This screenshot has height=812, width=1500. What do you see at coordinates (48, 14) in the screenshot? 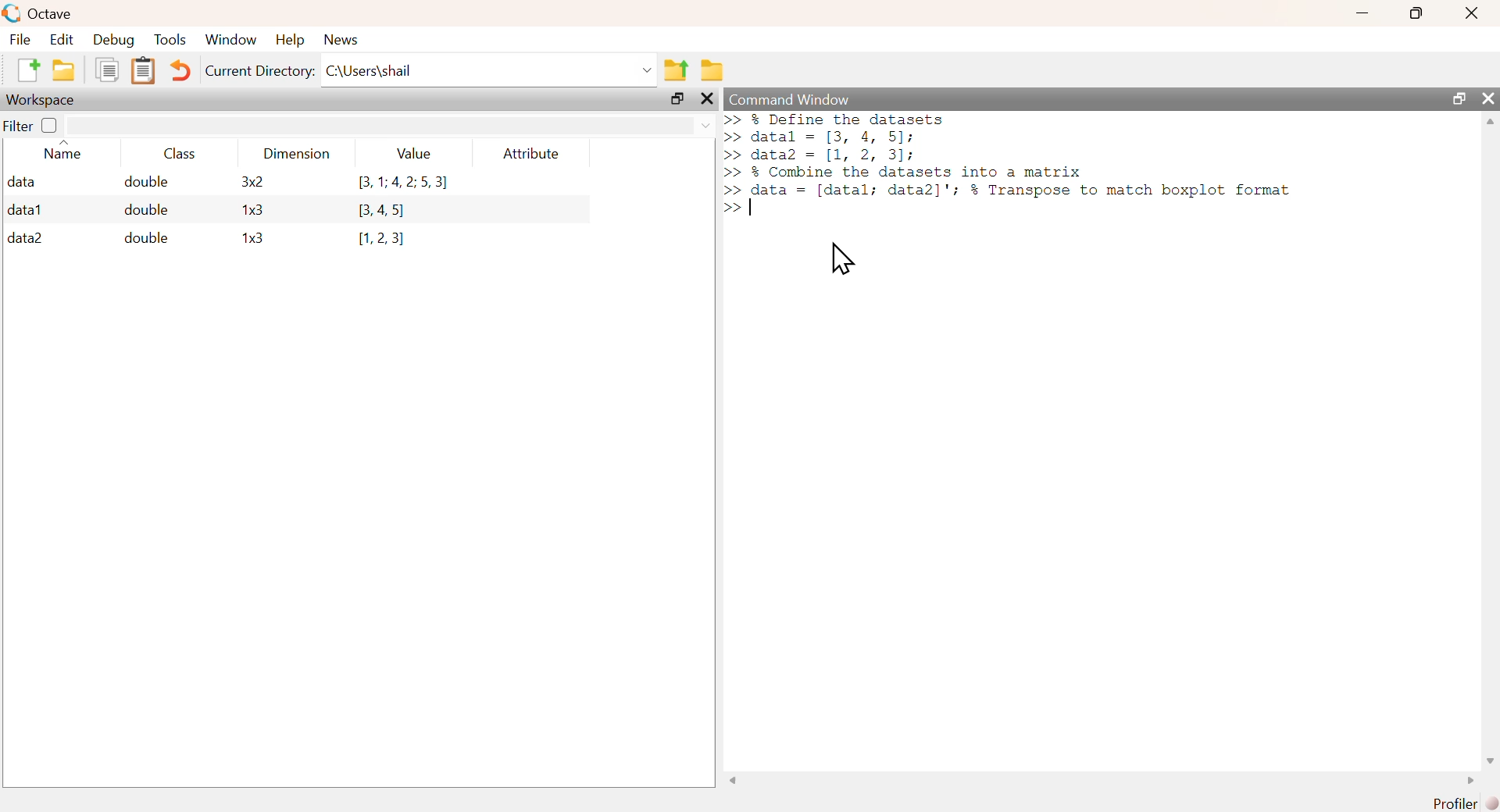
I see `Octave` at bounding box center [48, 14].